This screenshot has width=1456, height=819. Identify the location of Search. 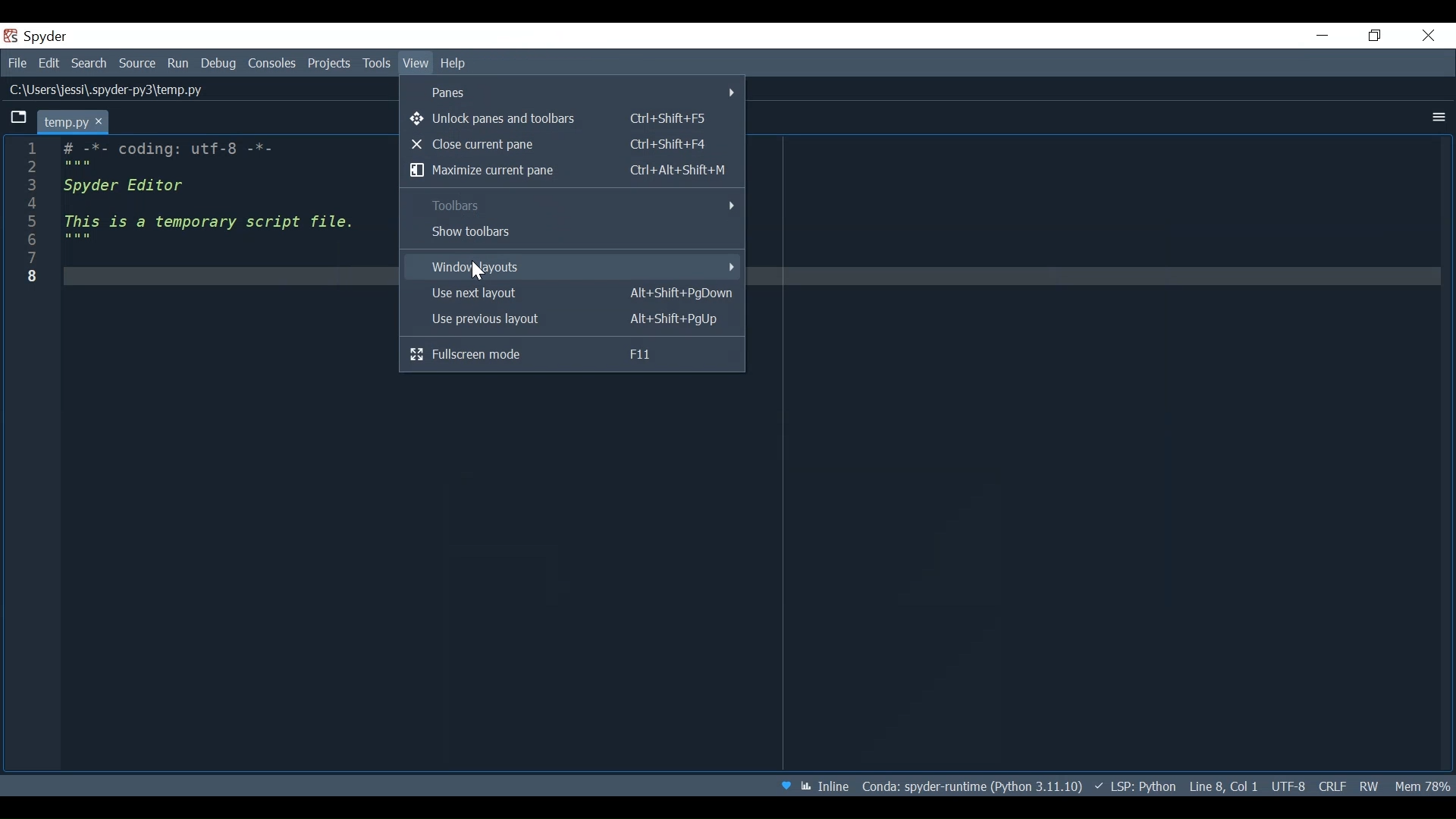
(89, 64).